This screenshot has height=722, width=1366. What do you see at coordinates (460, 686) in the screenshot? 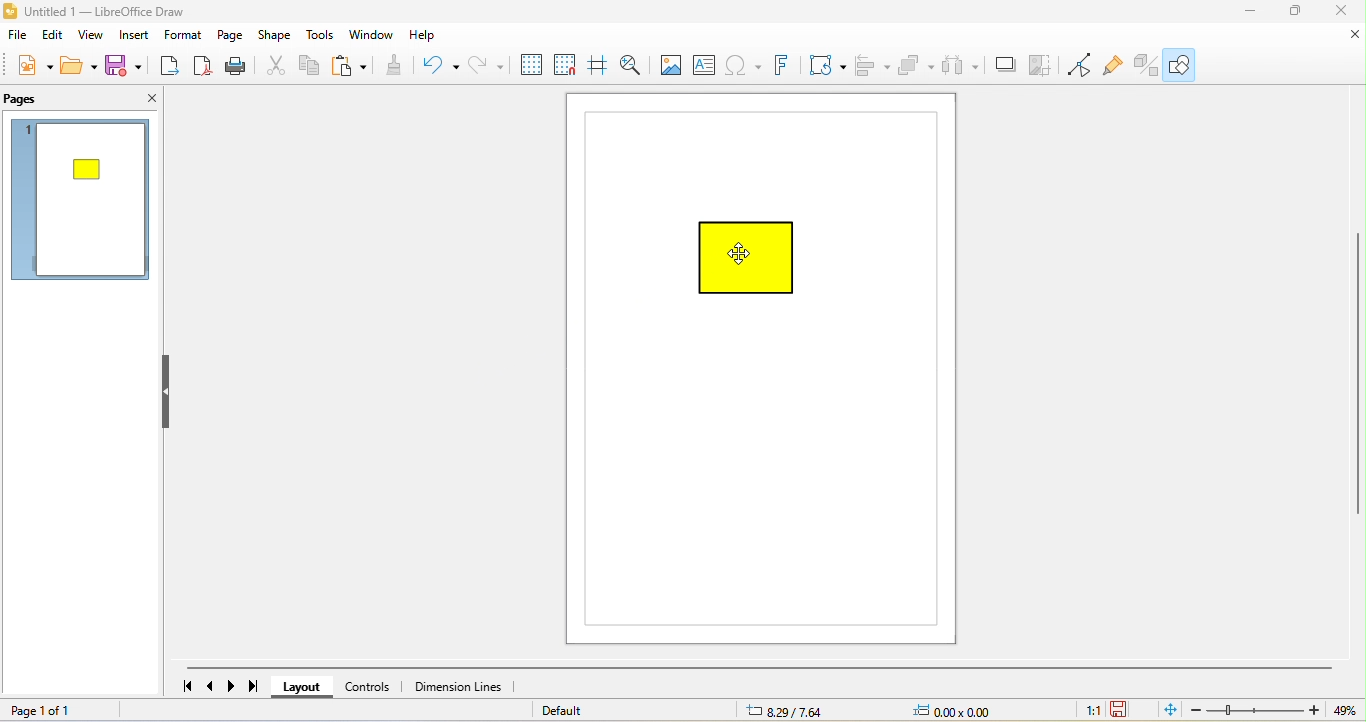
I see `dimension lines` at bounding box center [460, 686].